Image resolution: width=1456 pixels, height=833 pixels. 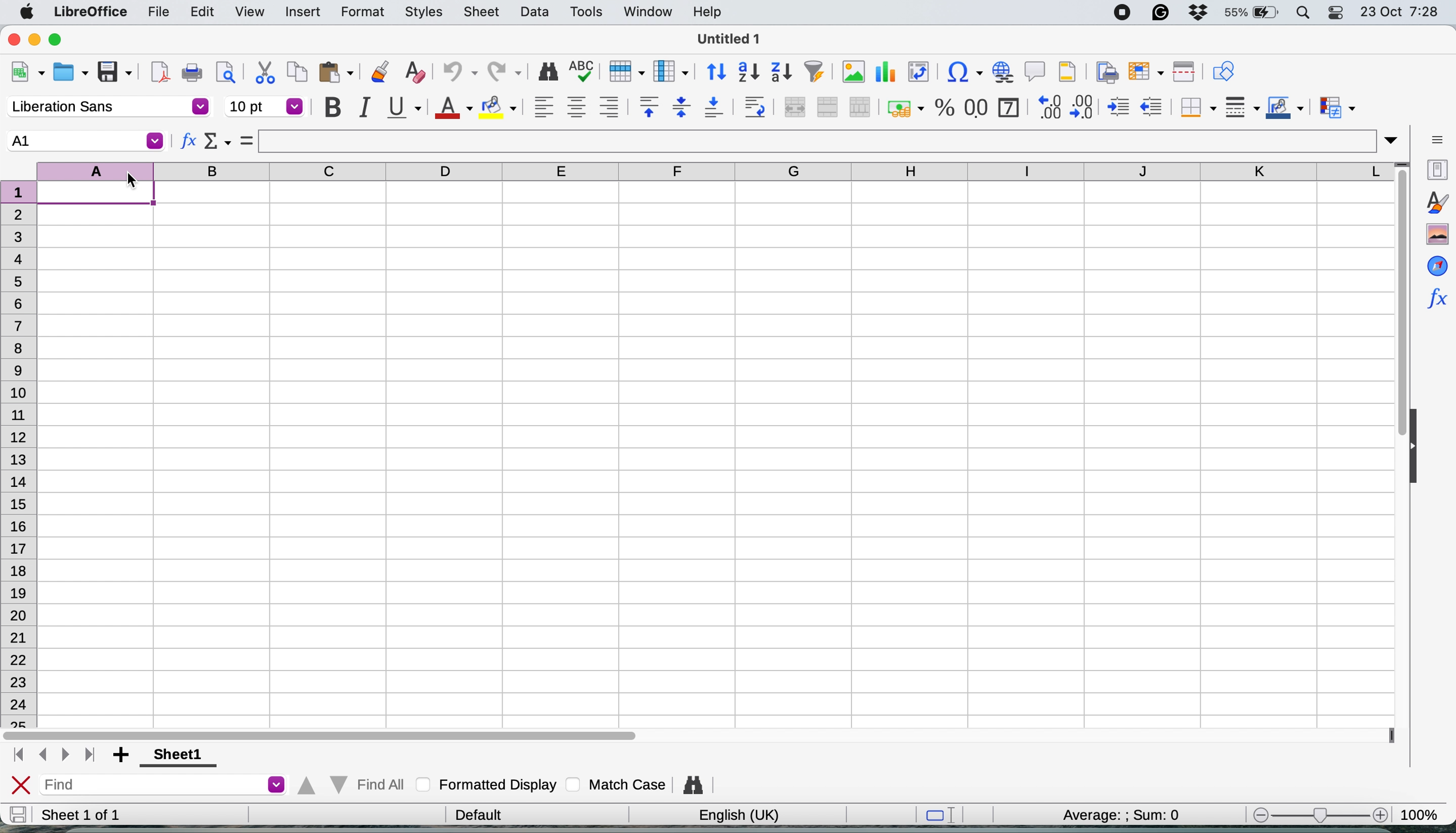 What do you see at coordinates (486, 11) in the screenshot?
I see `sheet` at bounding box center [486, 11].